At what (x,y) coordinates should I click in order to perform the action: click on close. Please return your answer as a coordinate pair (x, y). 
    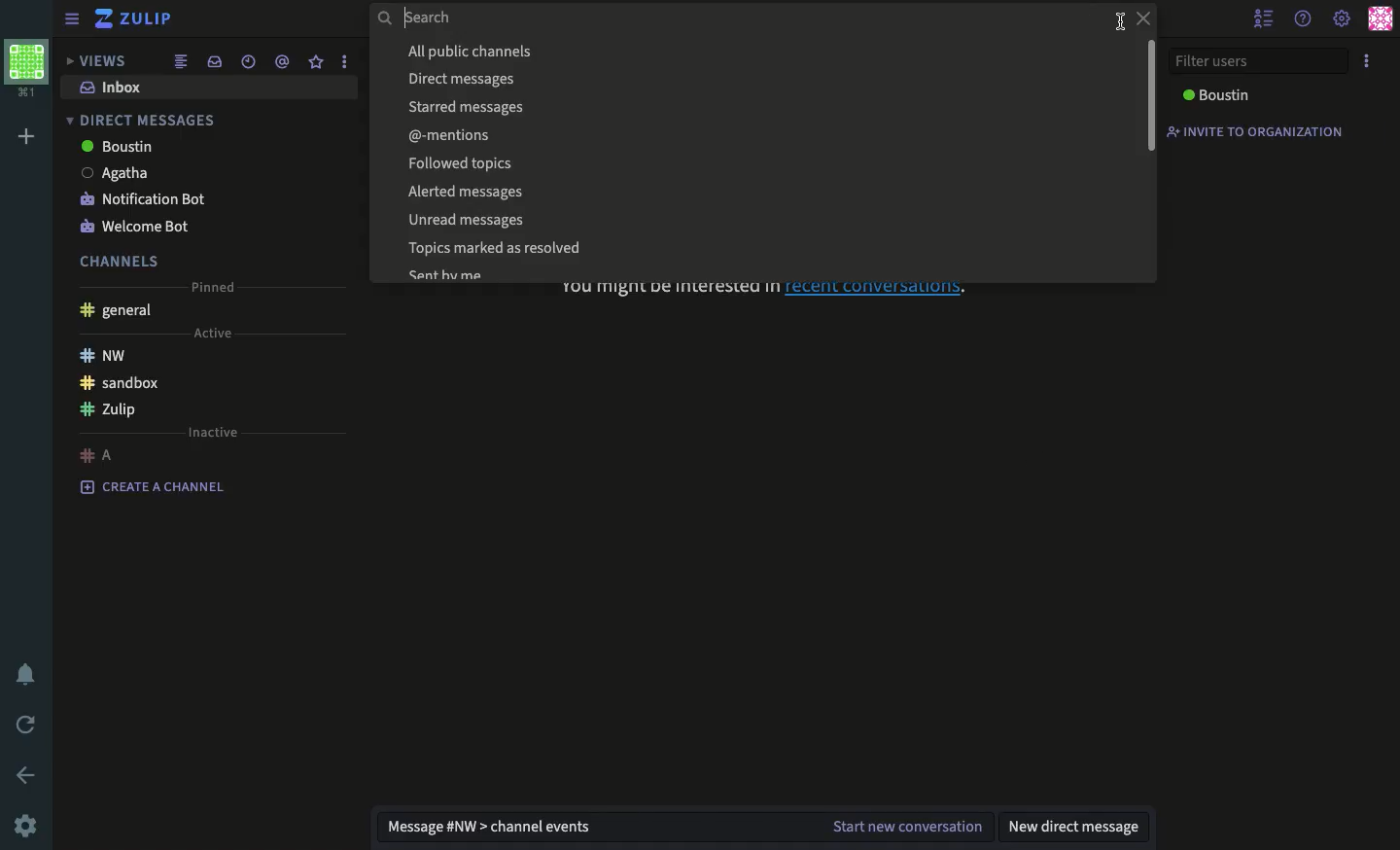
    Looking at the image, I should click on (1151, 18).